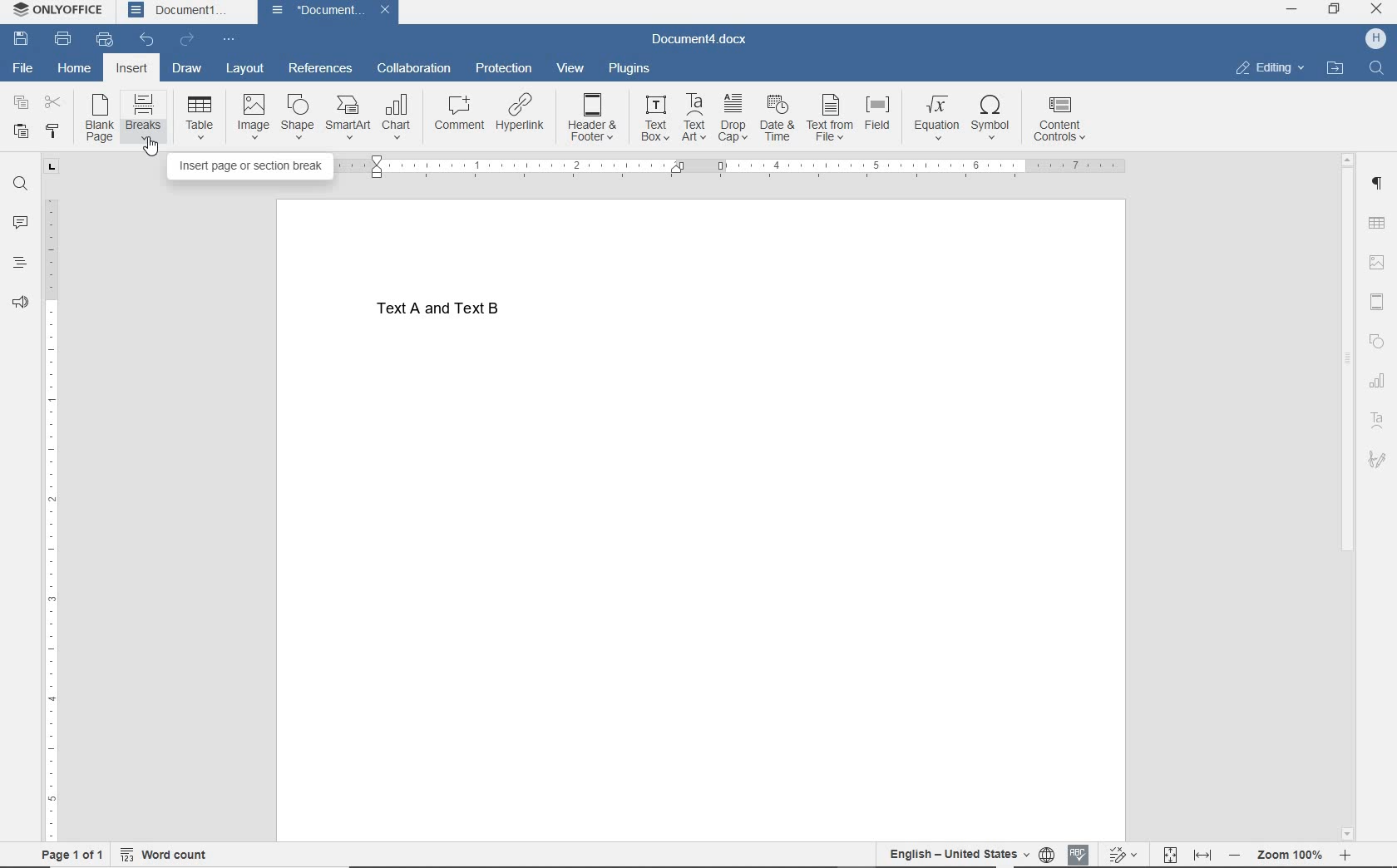 The width and height of the screenshot is (1397, 868). What do you see at coordinates (18, 184) in the screenshot?
I see `FIND` at bounding box center [18, 184].